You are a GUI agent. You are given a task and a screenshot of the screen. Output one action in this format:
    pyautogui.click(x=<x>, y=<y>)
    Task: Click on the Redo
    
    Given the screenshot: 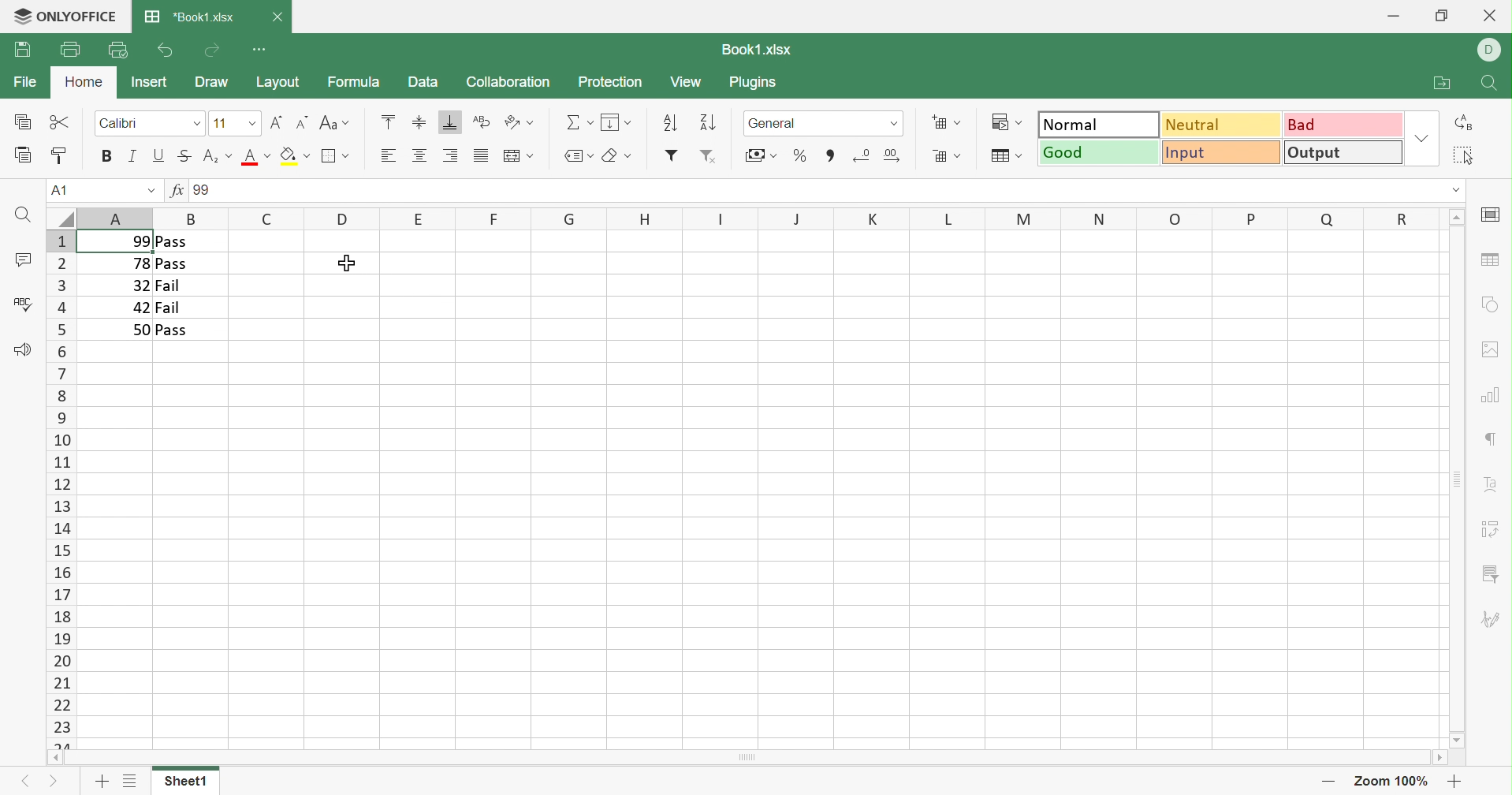 What is the action you would take?
    pyautogui.click(x=212, y=50)
    